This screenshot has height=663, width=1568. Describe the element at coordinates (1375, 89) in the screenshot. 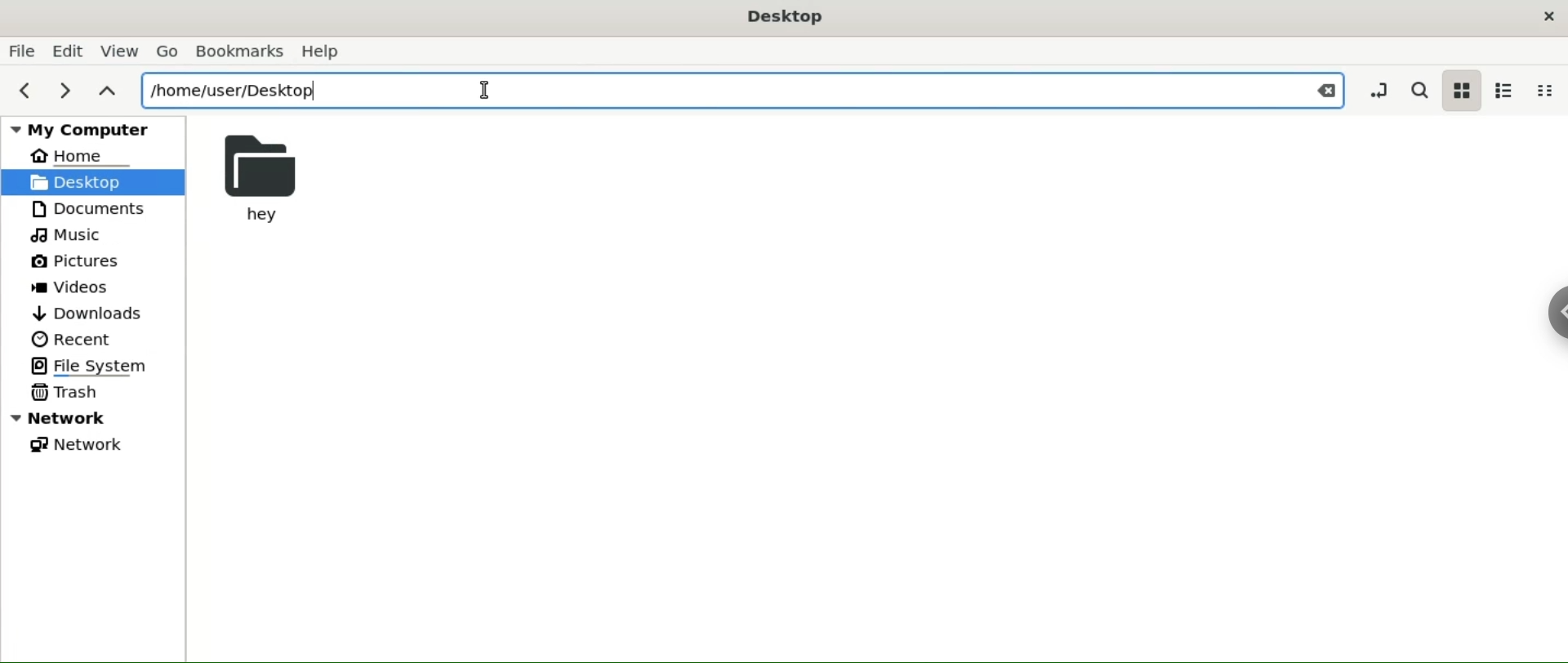

I see `toggle location entry` at that location.